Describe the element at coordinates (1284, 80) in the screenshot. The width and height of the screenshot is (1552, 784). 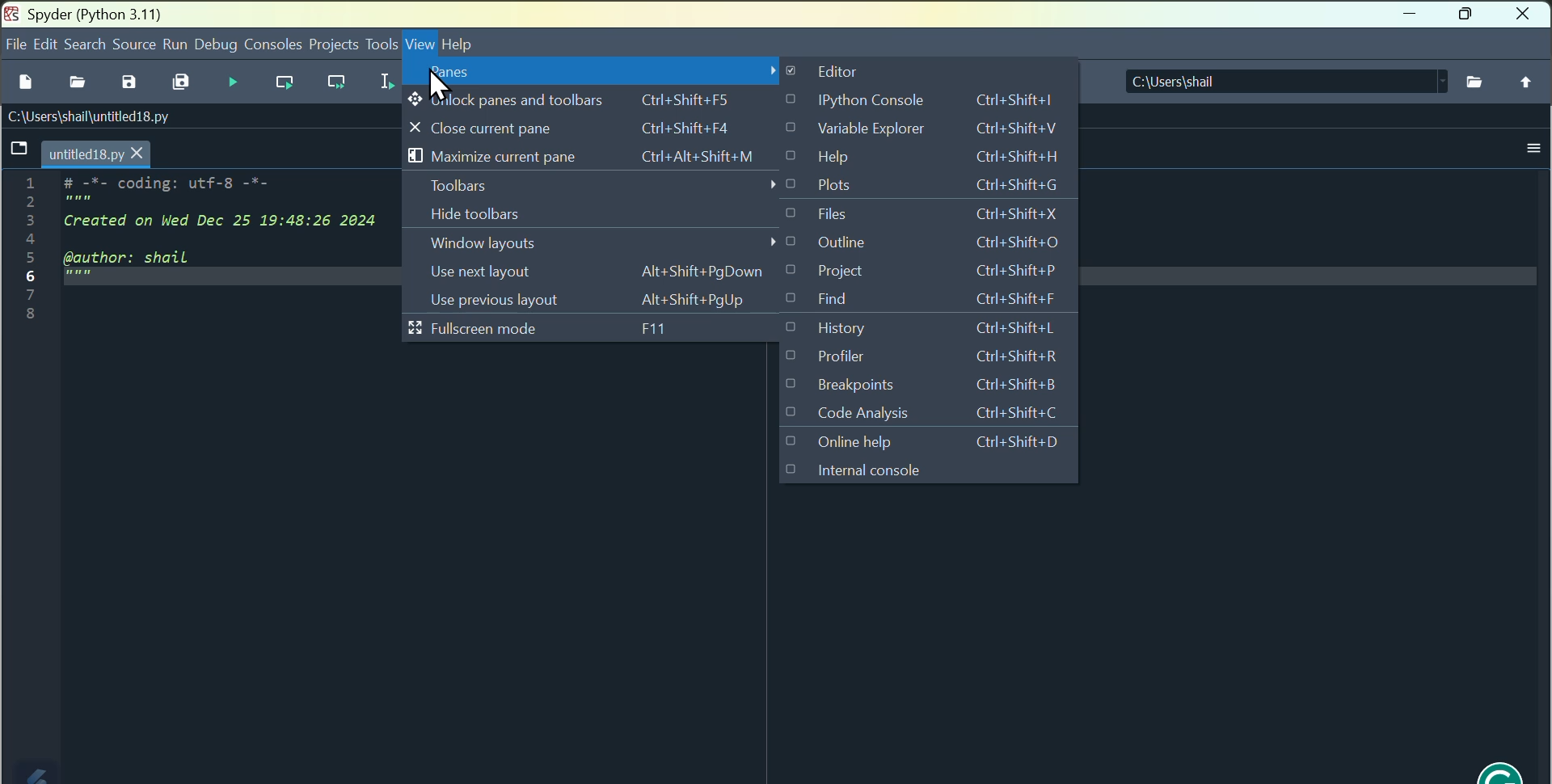
I see `C:\Users\Shail` at that location.